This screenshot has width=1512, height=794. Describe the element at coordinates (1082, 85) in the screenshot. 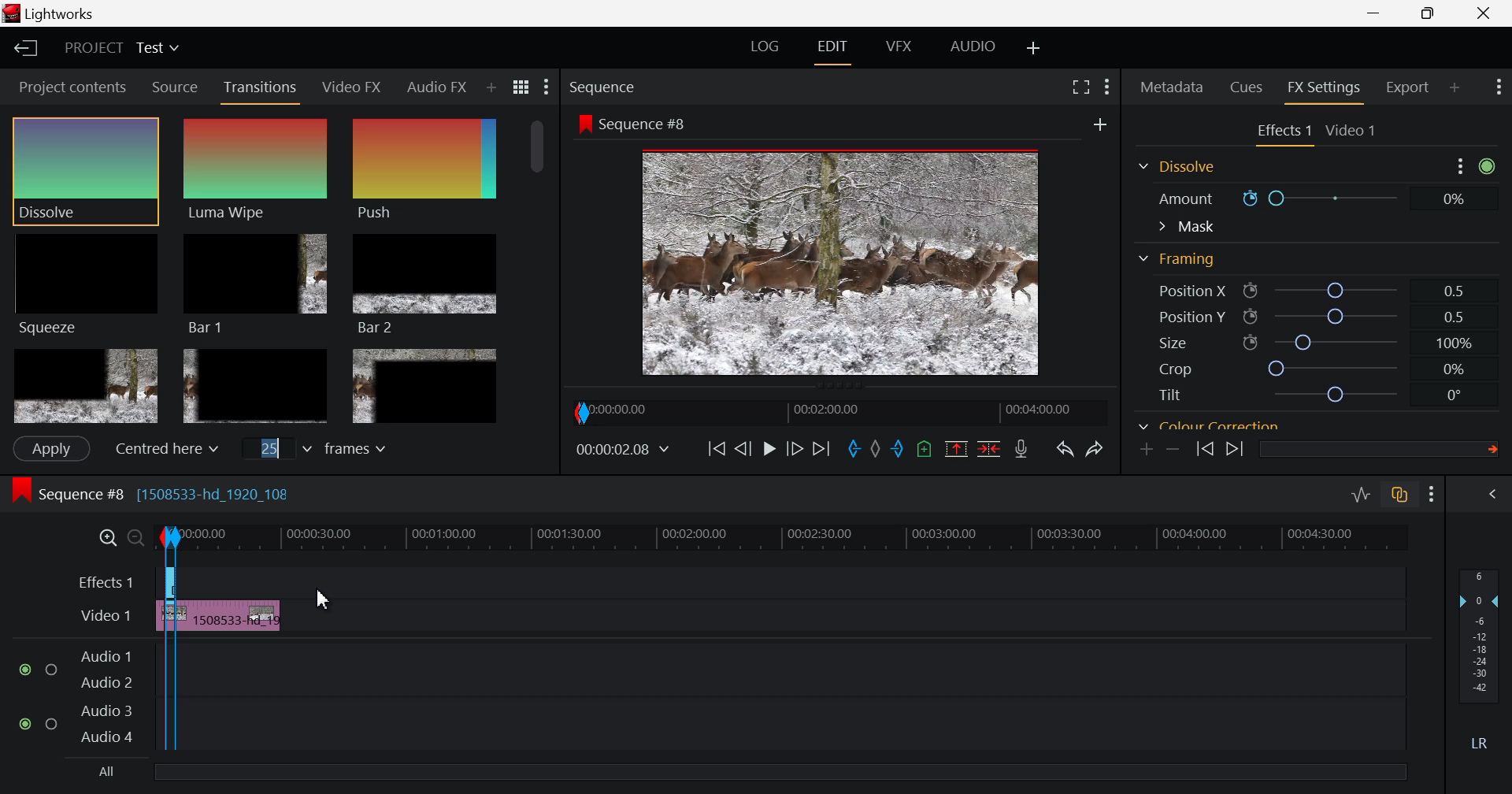

I see `Full Screen` at that location.